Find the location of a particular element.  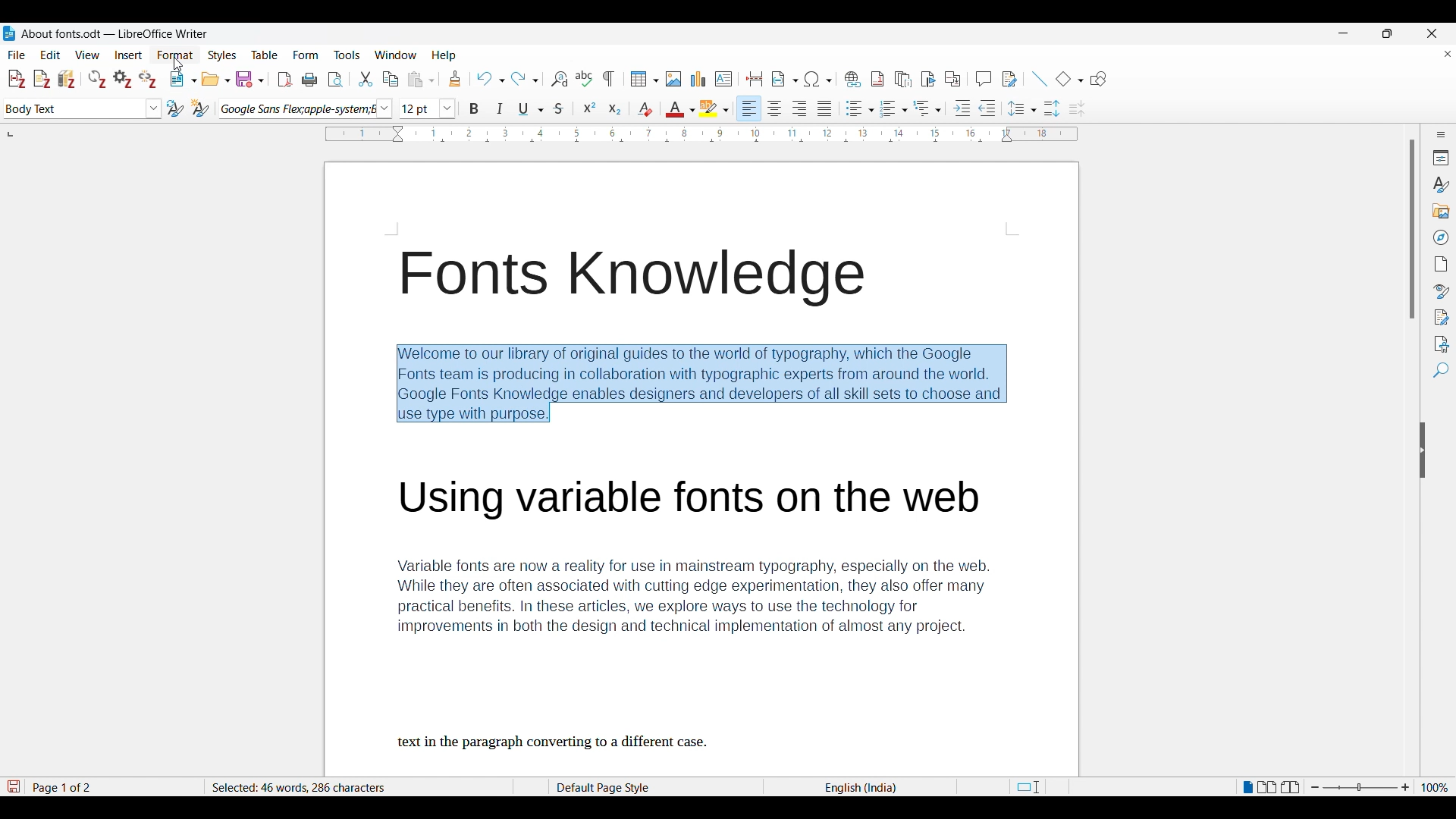

Undo is located at coordinates (490, 79).